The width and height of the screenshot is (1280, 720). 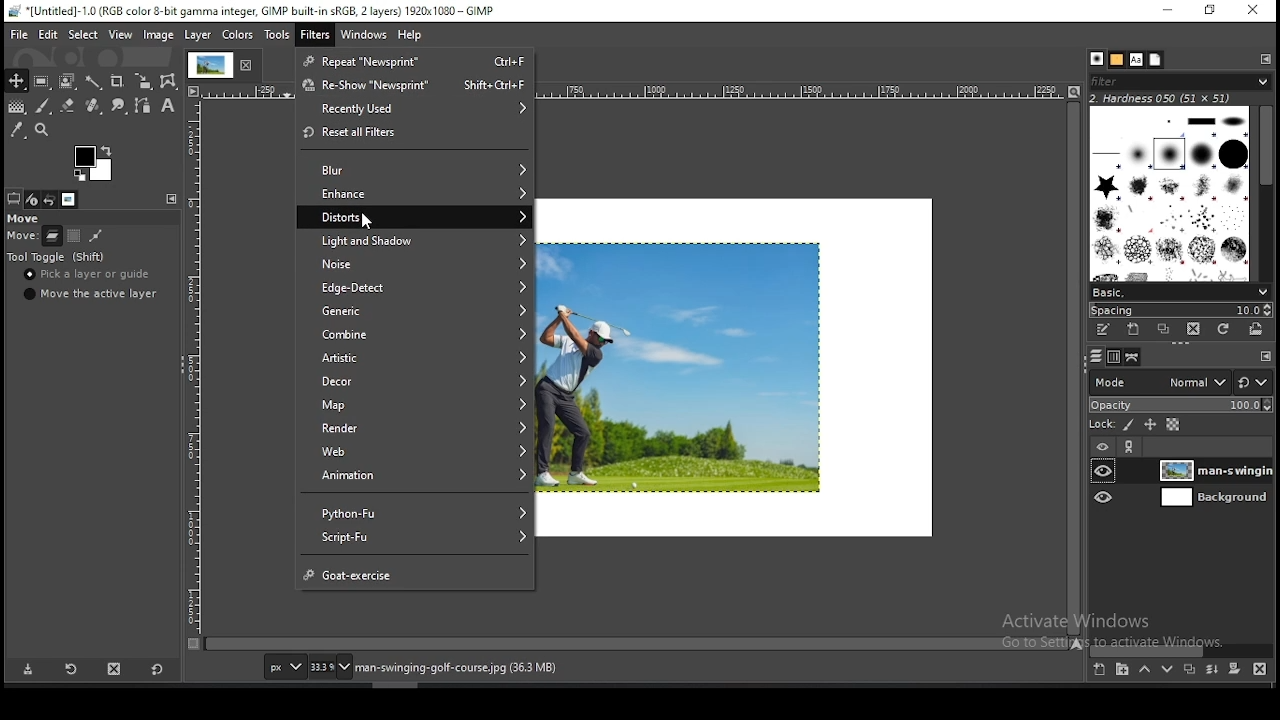 I want to click on lock alpha channel, so click(x=1171, y=425).